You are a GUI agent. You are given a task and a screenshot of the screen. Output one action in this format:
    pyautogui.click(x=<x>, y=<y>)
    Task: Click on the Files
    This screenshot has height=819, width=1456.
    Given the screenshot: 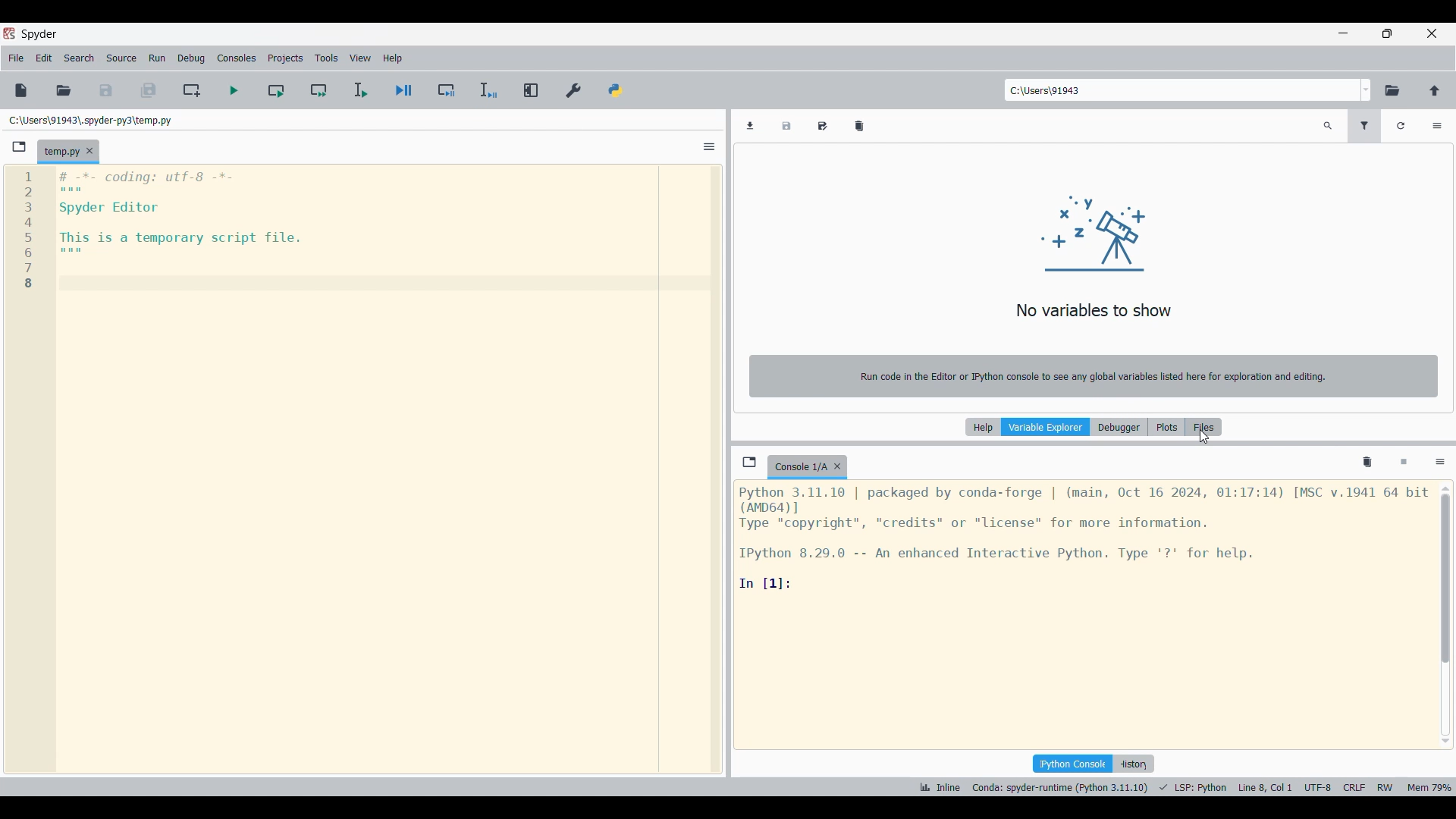 What is the action you would take?
    pyautogui.click(x=1203, y=427)
    